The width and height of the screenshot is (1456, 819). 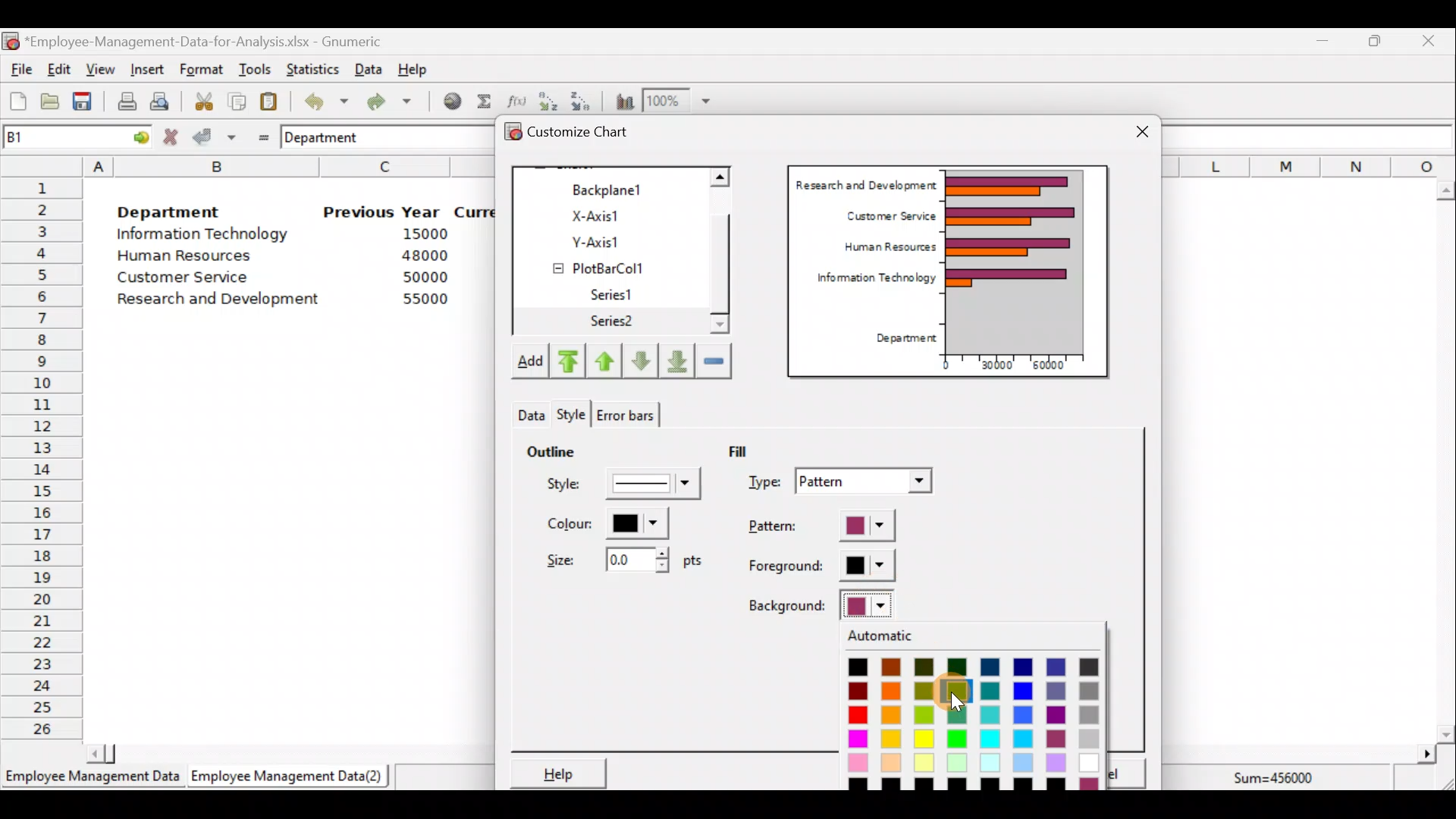 What do you see at coordinates (54, 103) in the screenshot?
I see `Open a file` at bounding box center [54, 103].